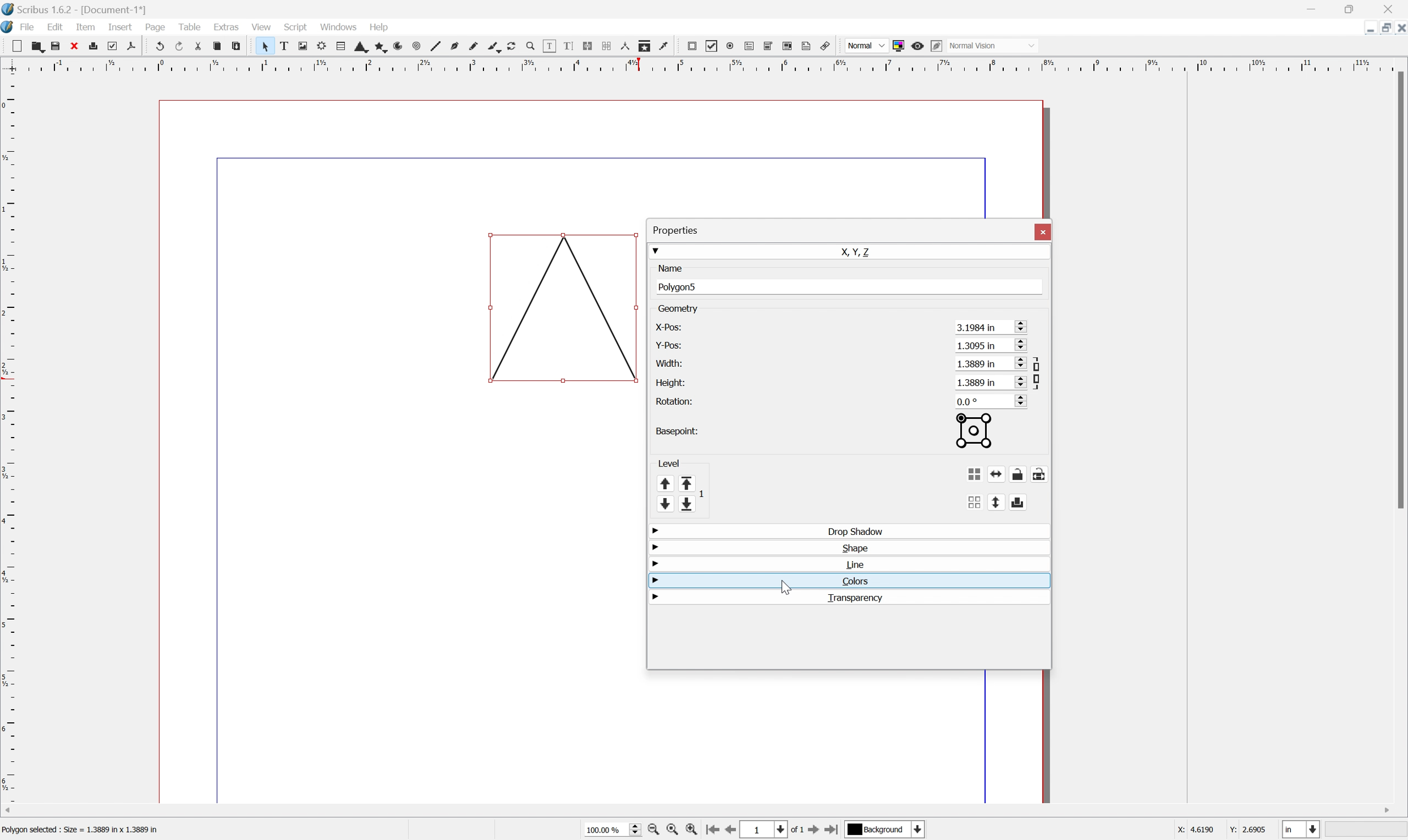 The width and height of the screenshot is (1408, 840). I want to click on Minimize, so click(1368, 28).